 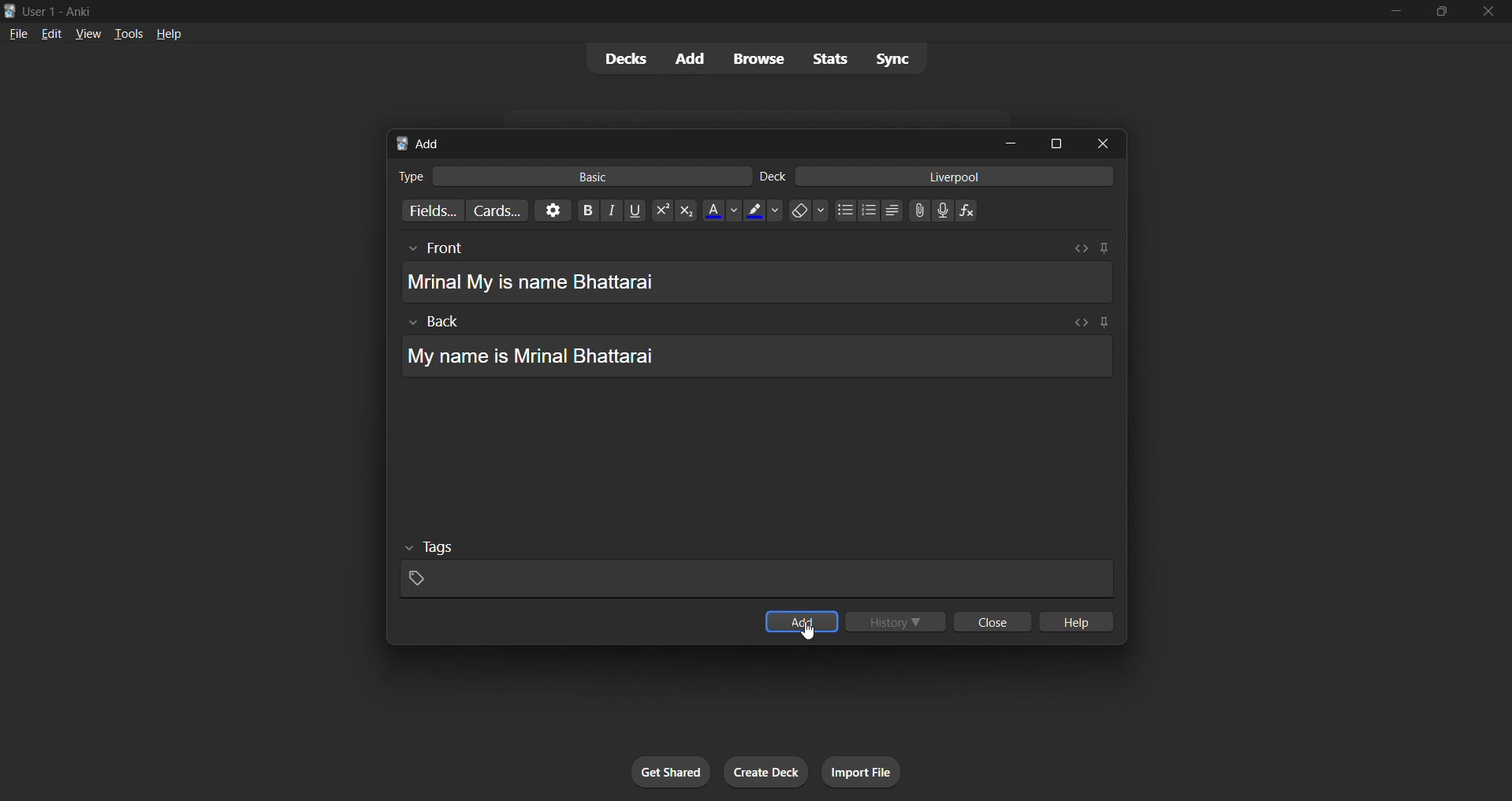 I want to click on erase formatting, so click(x=803, y=211).